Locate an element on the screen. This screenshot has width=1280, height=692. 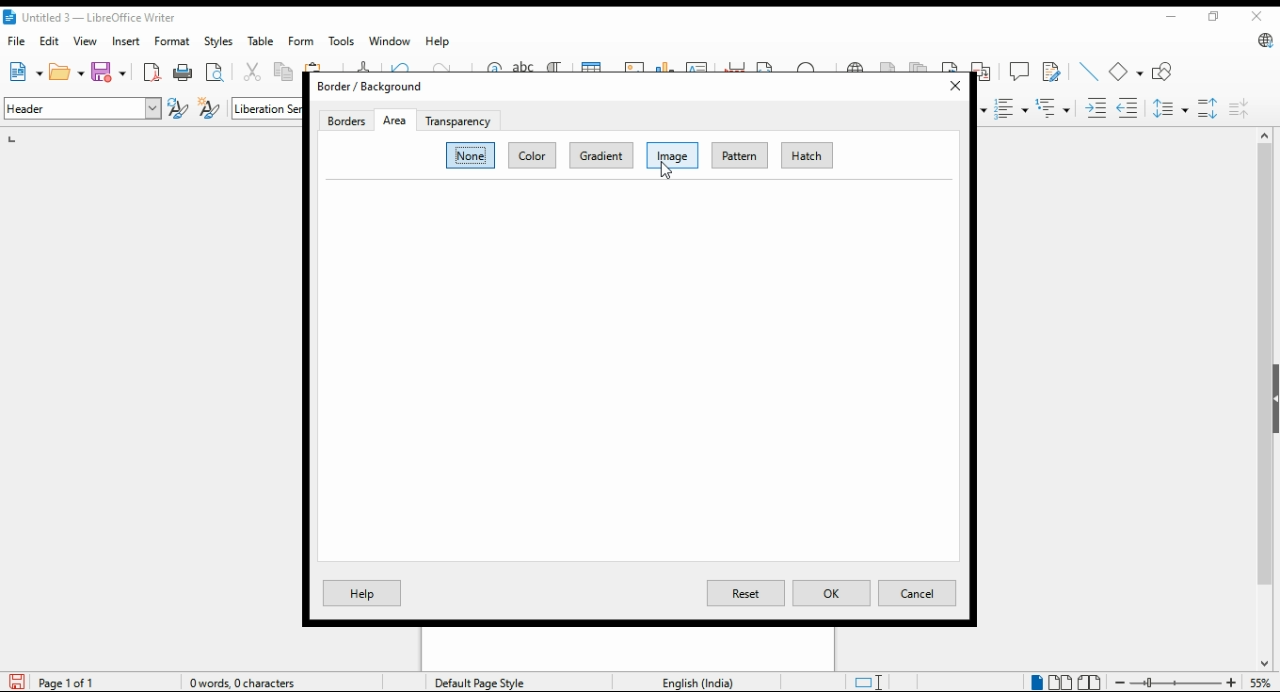
copy is located at coordinates (285, 73).